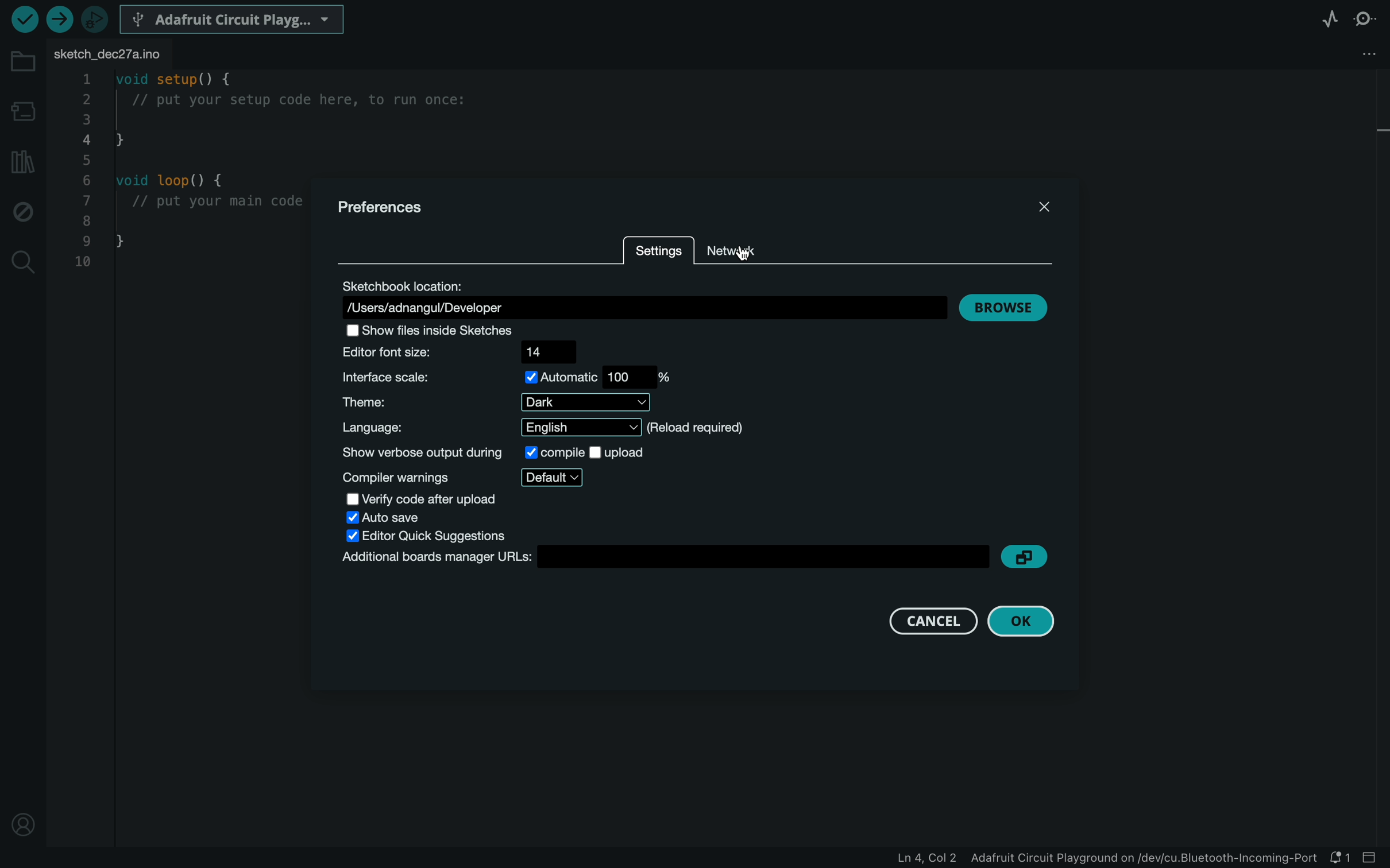 This screenshot has width=1390, height=868. Describe the element at coordinates (1372, 857) in the screenshot. I see `close slide bar` at that location.